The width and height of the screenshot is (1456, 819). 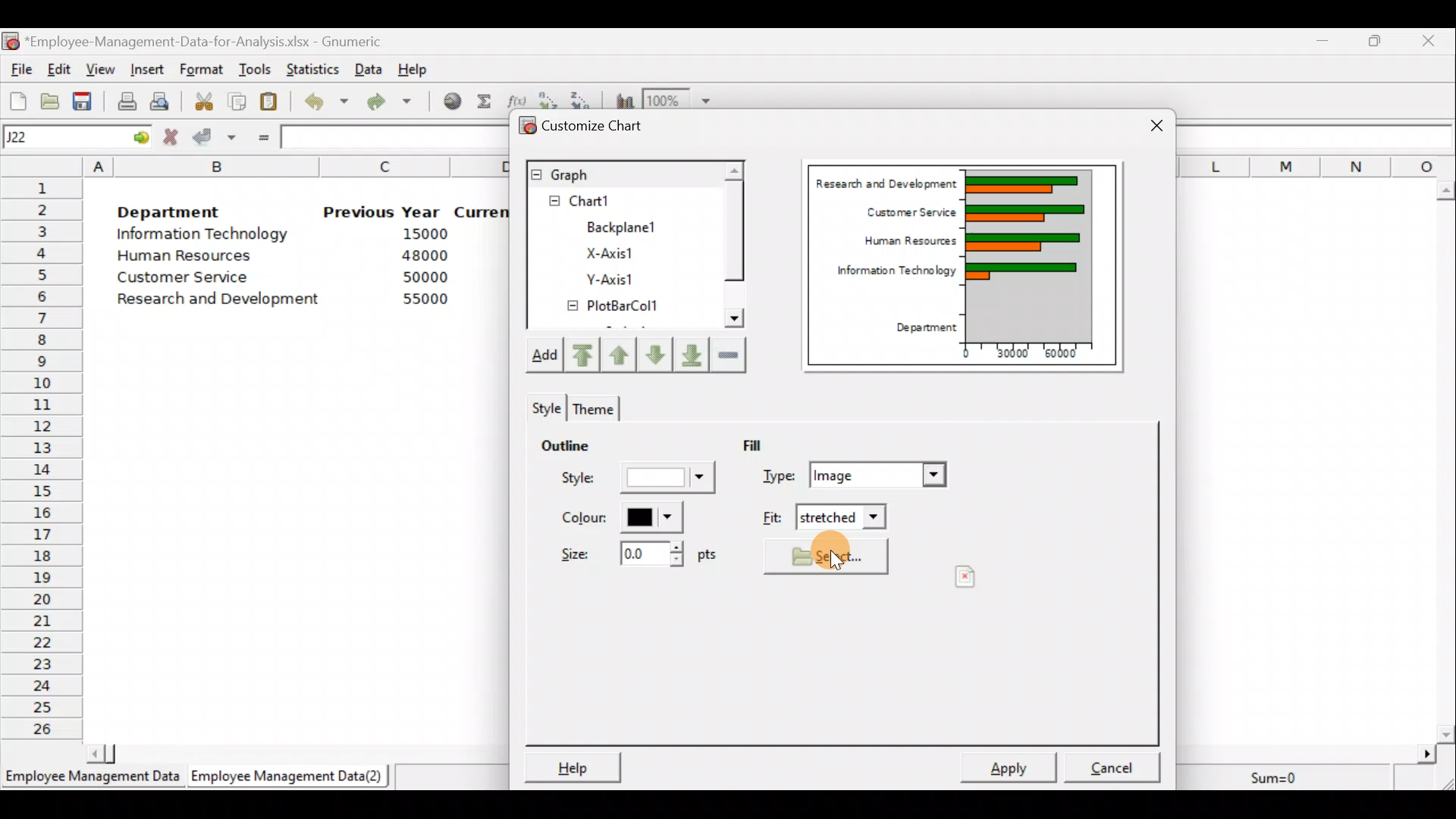 I want to click on File, so click(x=19, y=69).